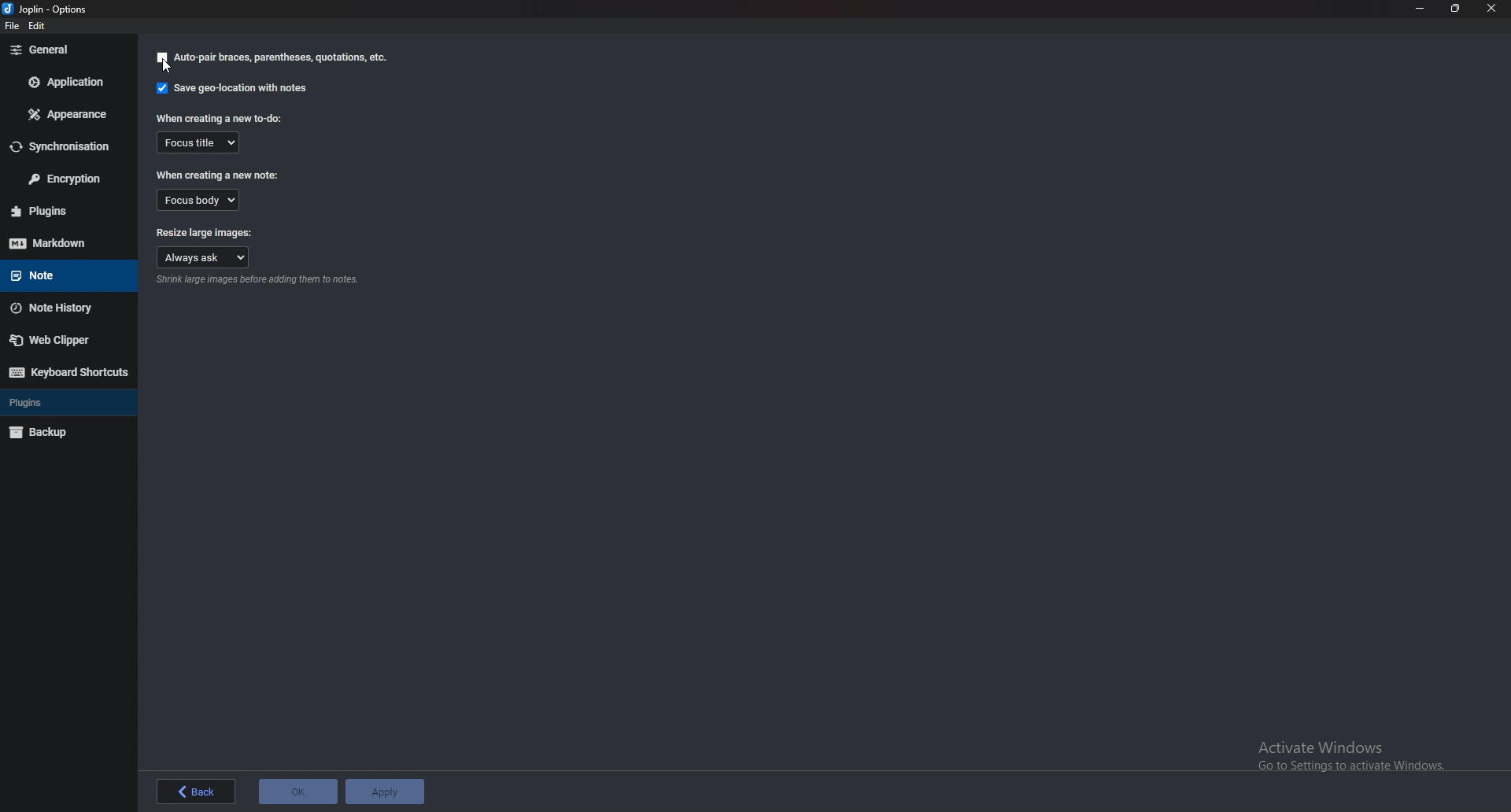  I want to click on Activate windows pop up, so click(1359, 756).